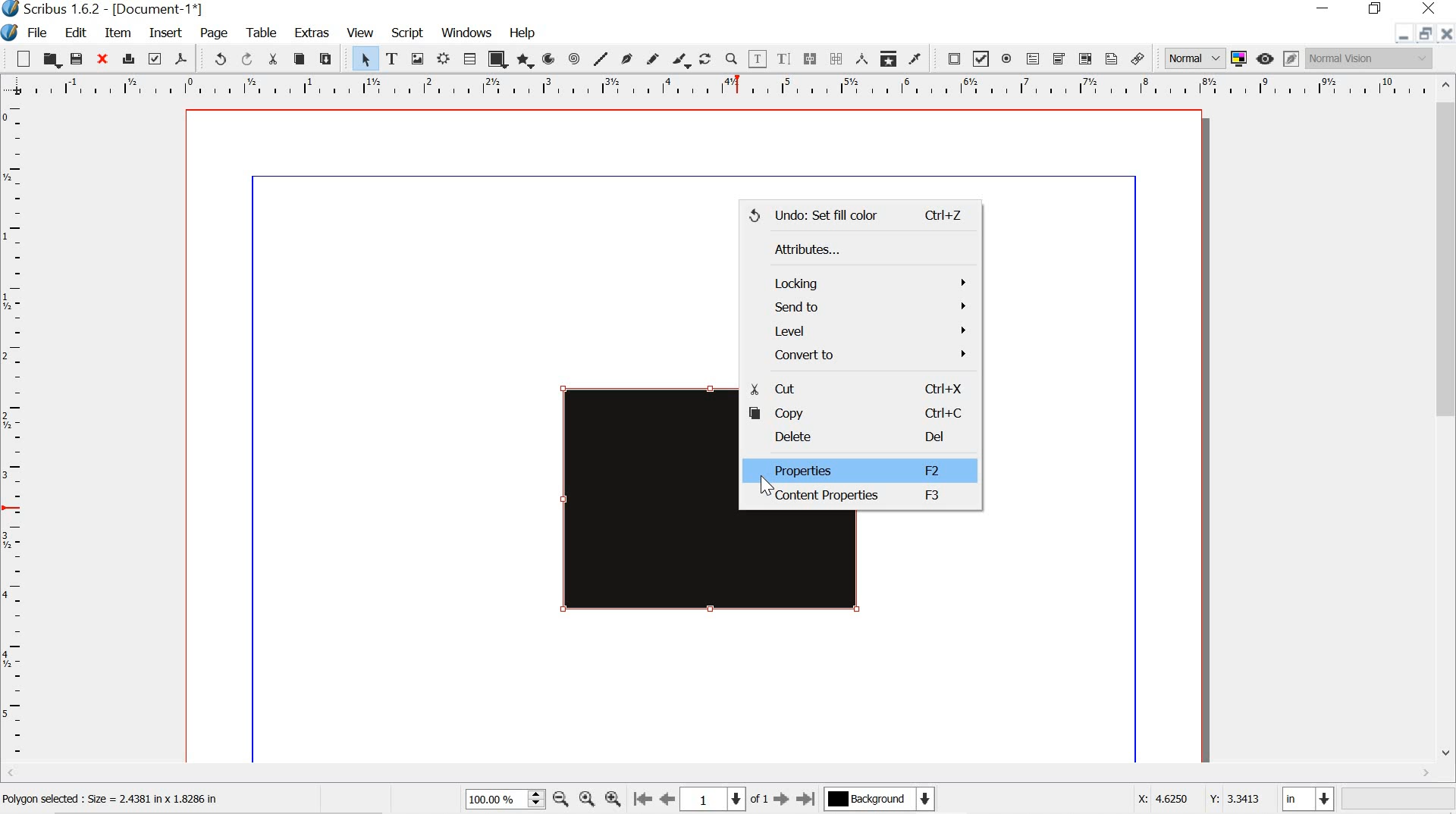 This screenshot has height=814, width=1456. I want to click on edit text with story editor, so click(786, 60).